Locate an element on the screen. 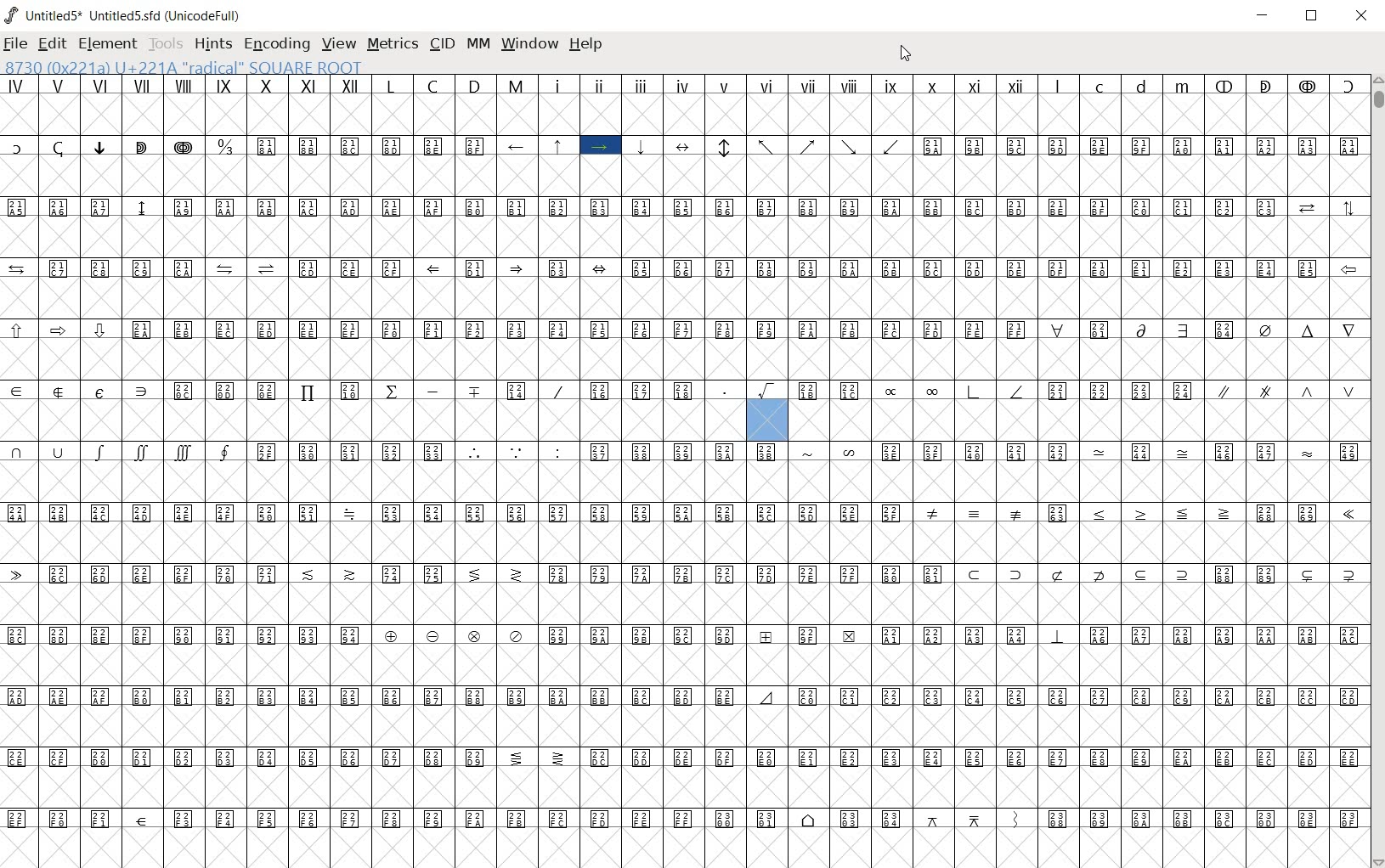  RESTORE DOWN is located at coordinates (1313, 16).